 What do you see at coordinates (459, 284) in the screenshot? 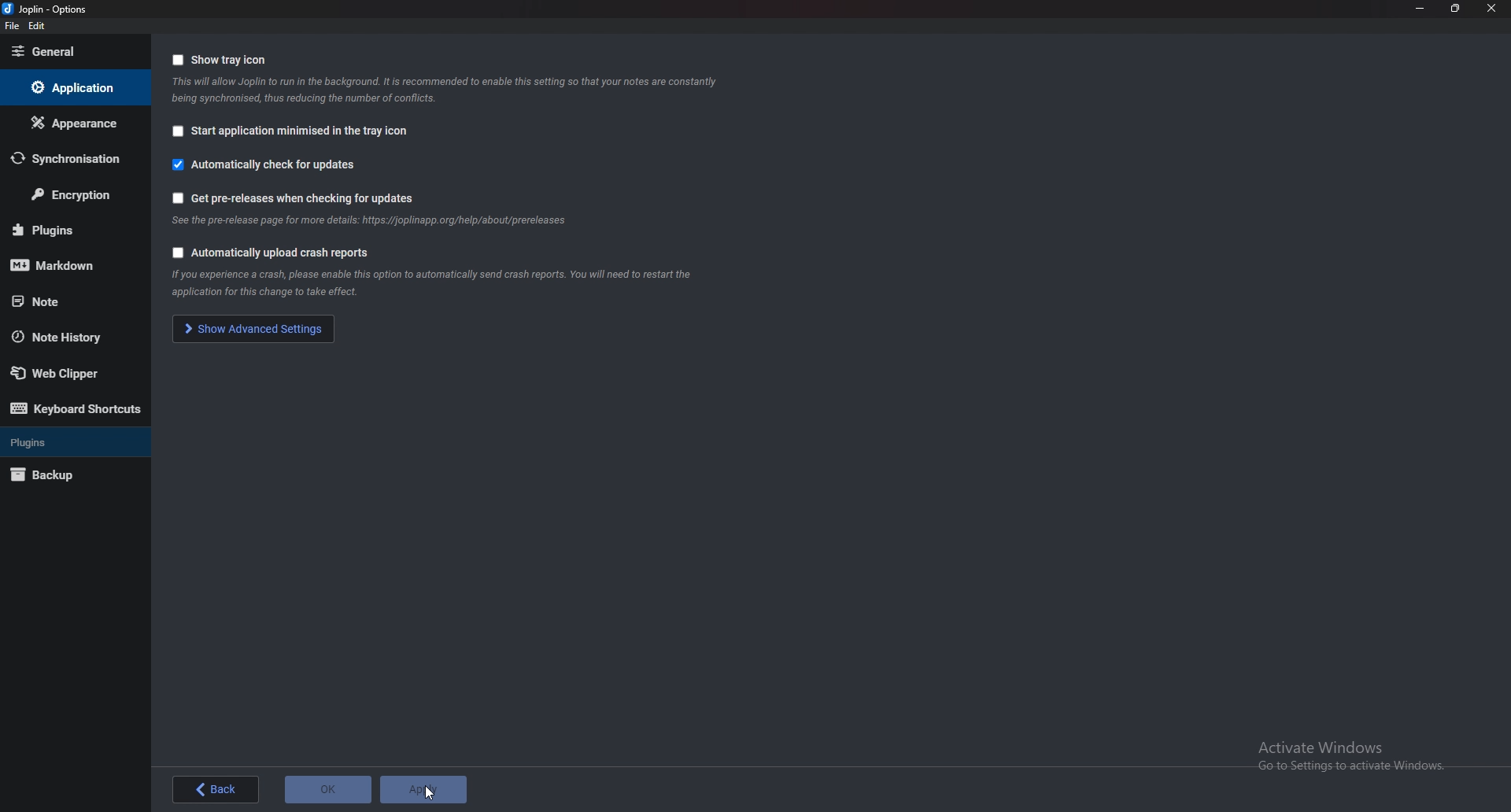
I see `Info` at bounding box center [459, 284].